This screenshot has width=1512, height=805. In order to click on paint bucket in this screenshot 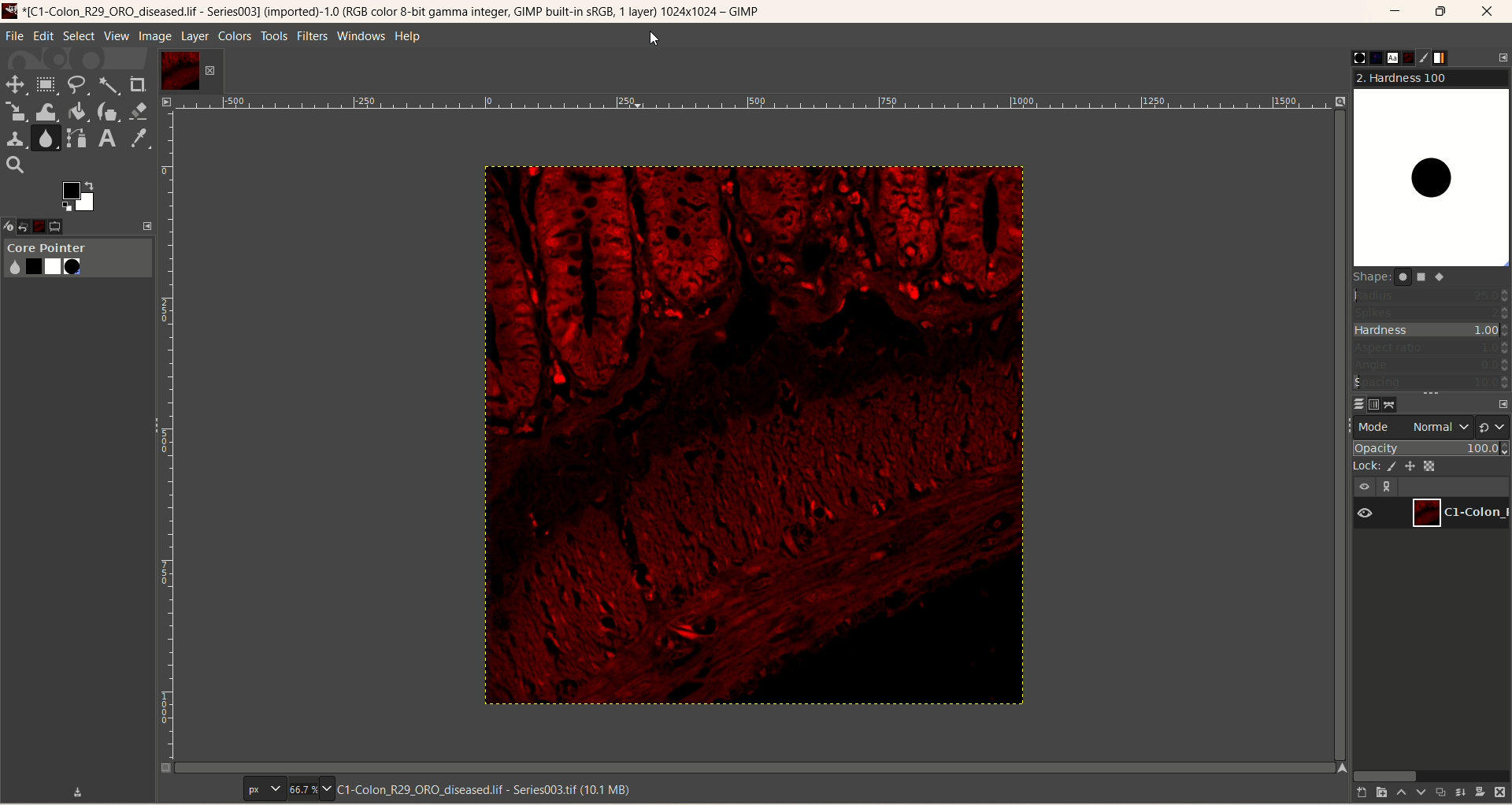, I will do `click(79, 110)`.